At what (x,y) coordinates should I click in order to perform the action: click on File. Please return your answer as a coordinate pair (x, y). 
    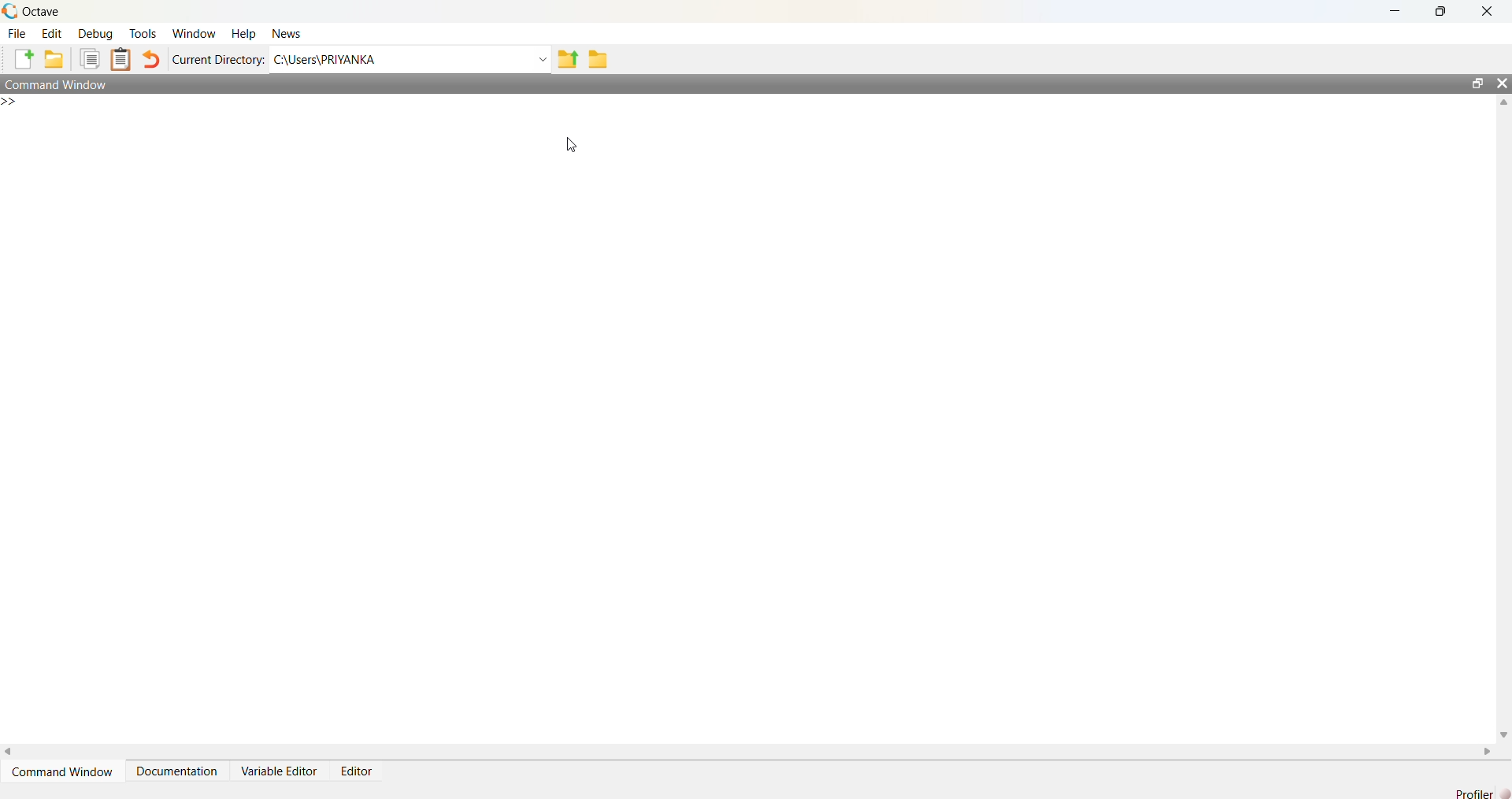
    Looking at the image, I should click on (17, 32).